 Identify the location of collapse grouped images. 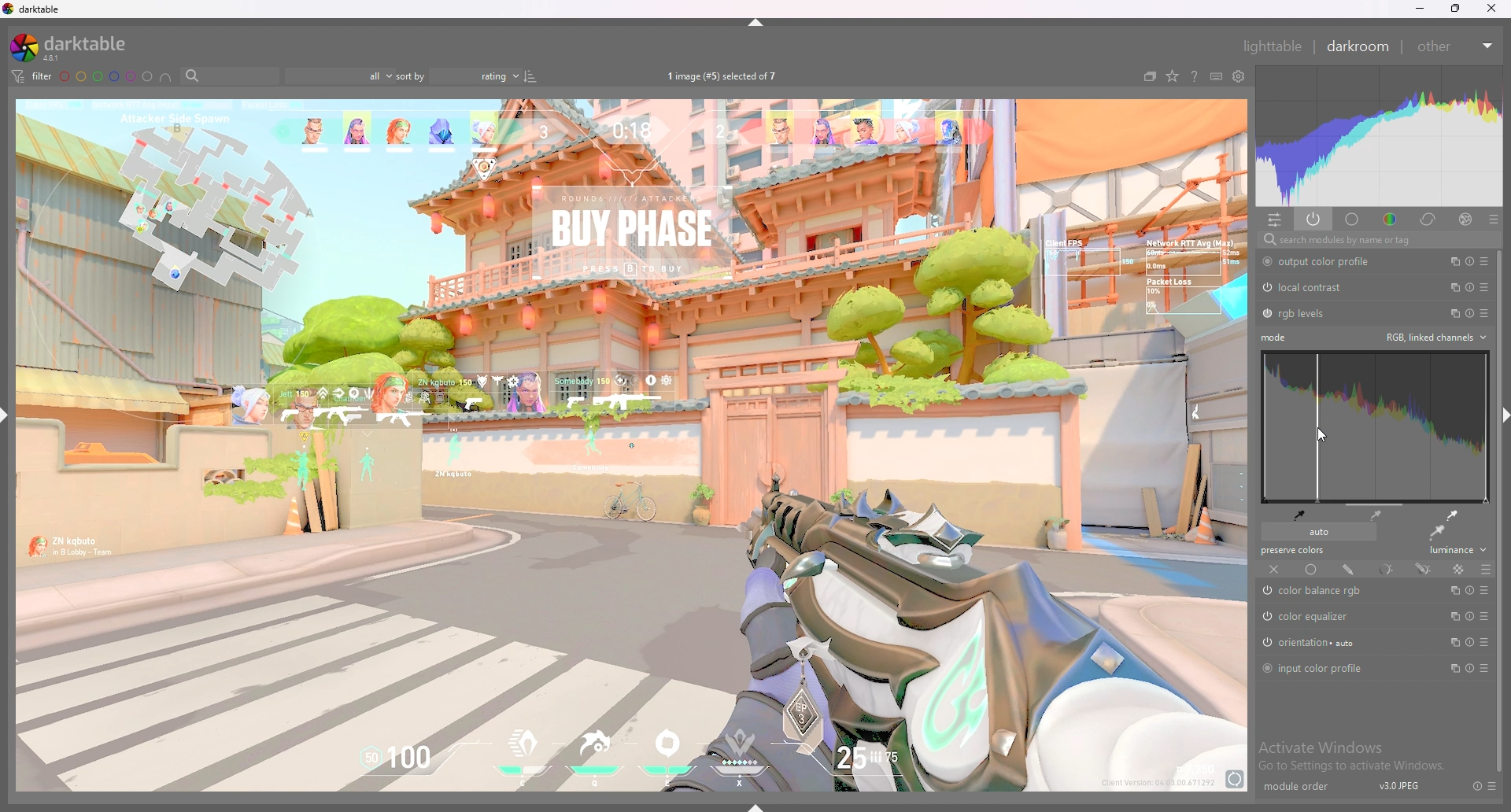
(1151, 77).